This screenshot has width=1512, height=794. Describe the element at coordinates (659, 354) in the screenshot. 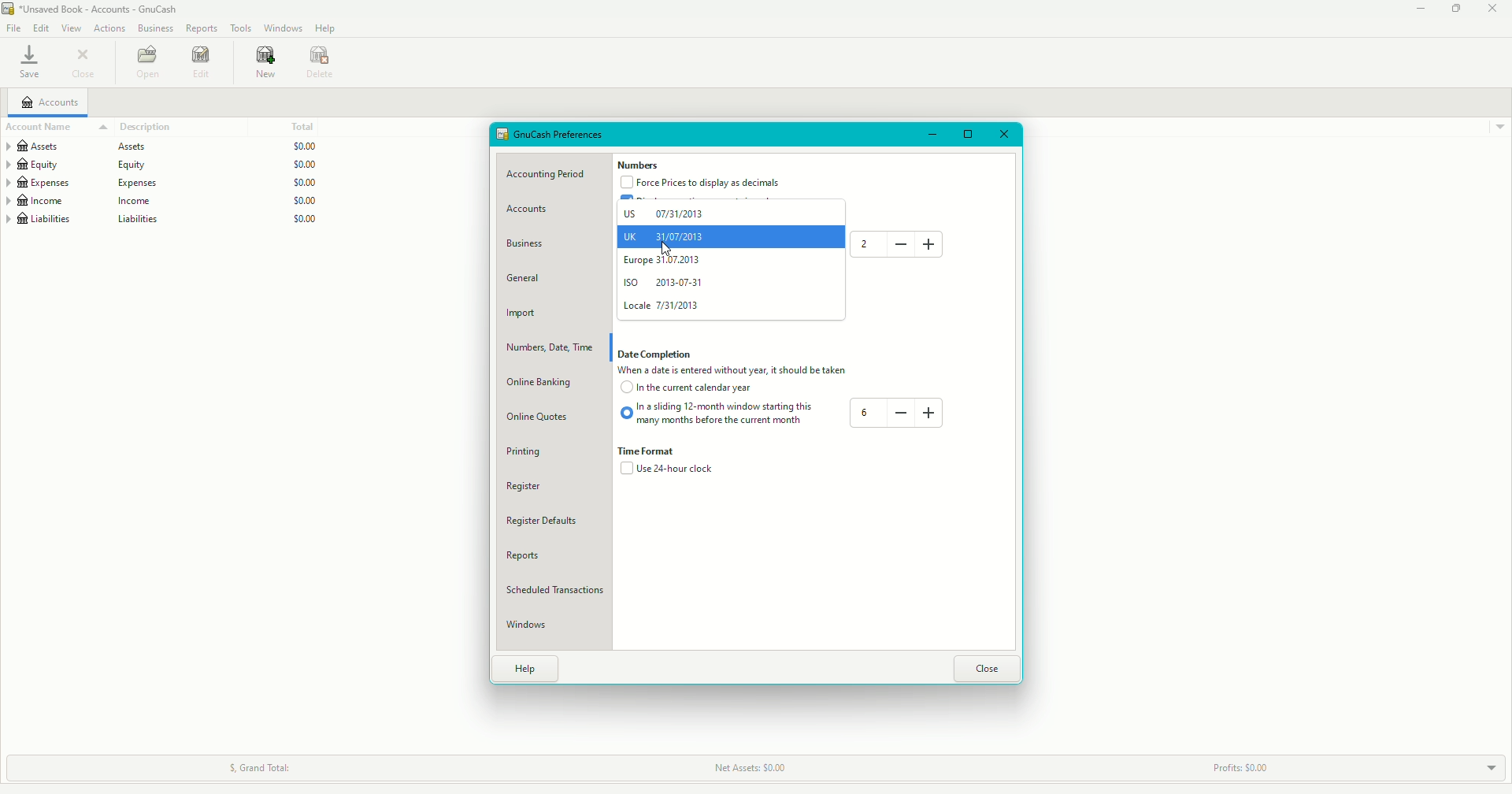

I see `Date Completion` at that location.